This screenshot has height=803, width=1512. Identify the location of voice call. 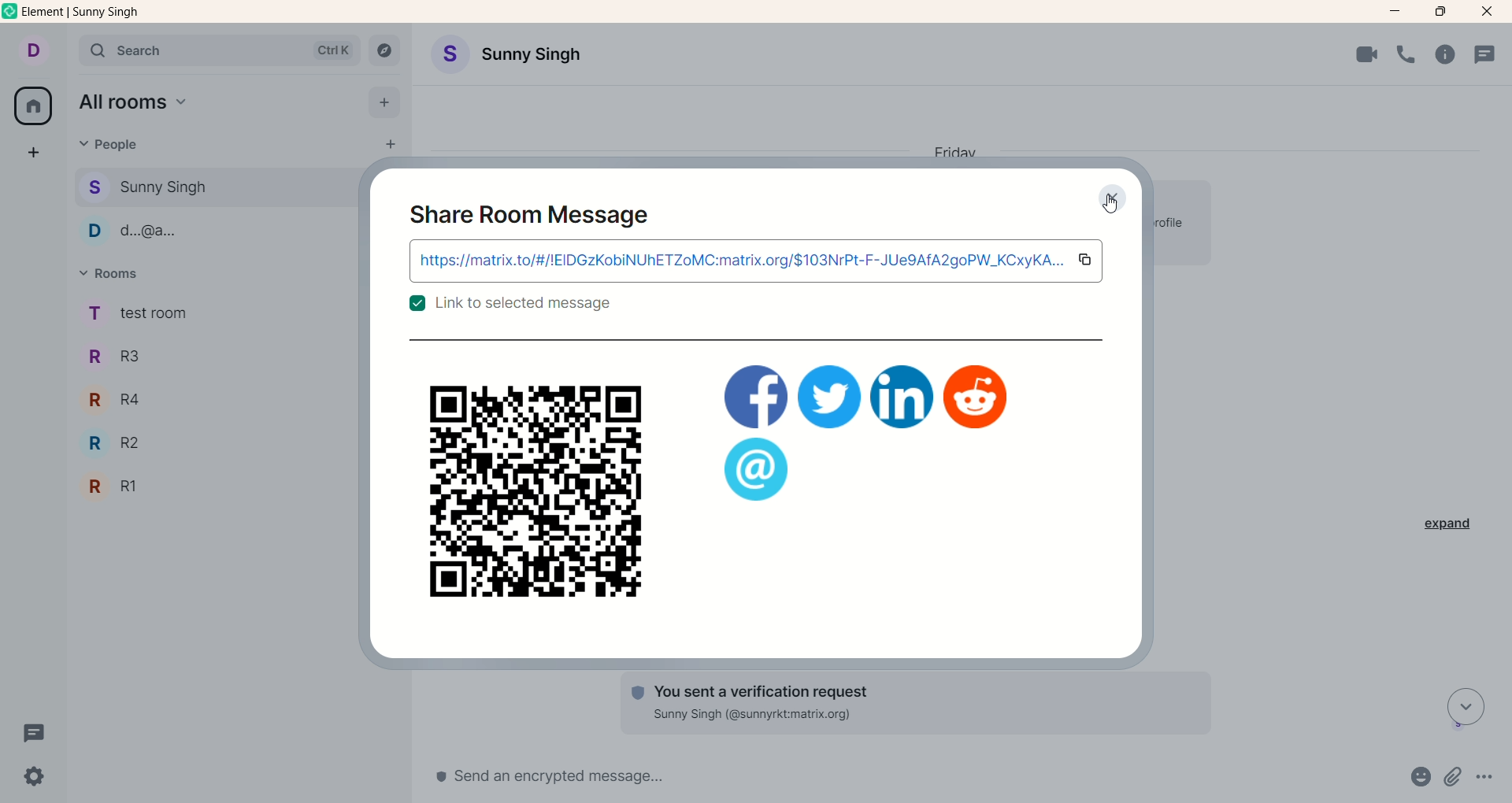
(1410, 56).